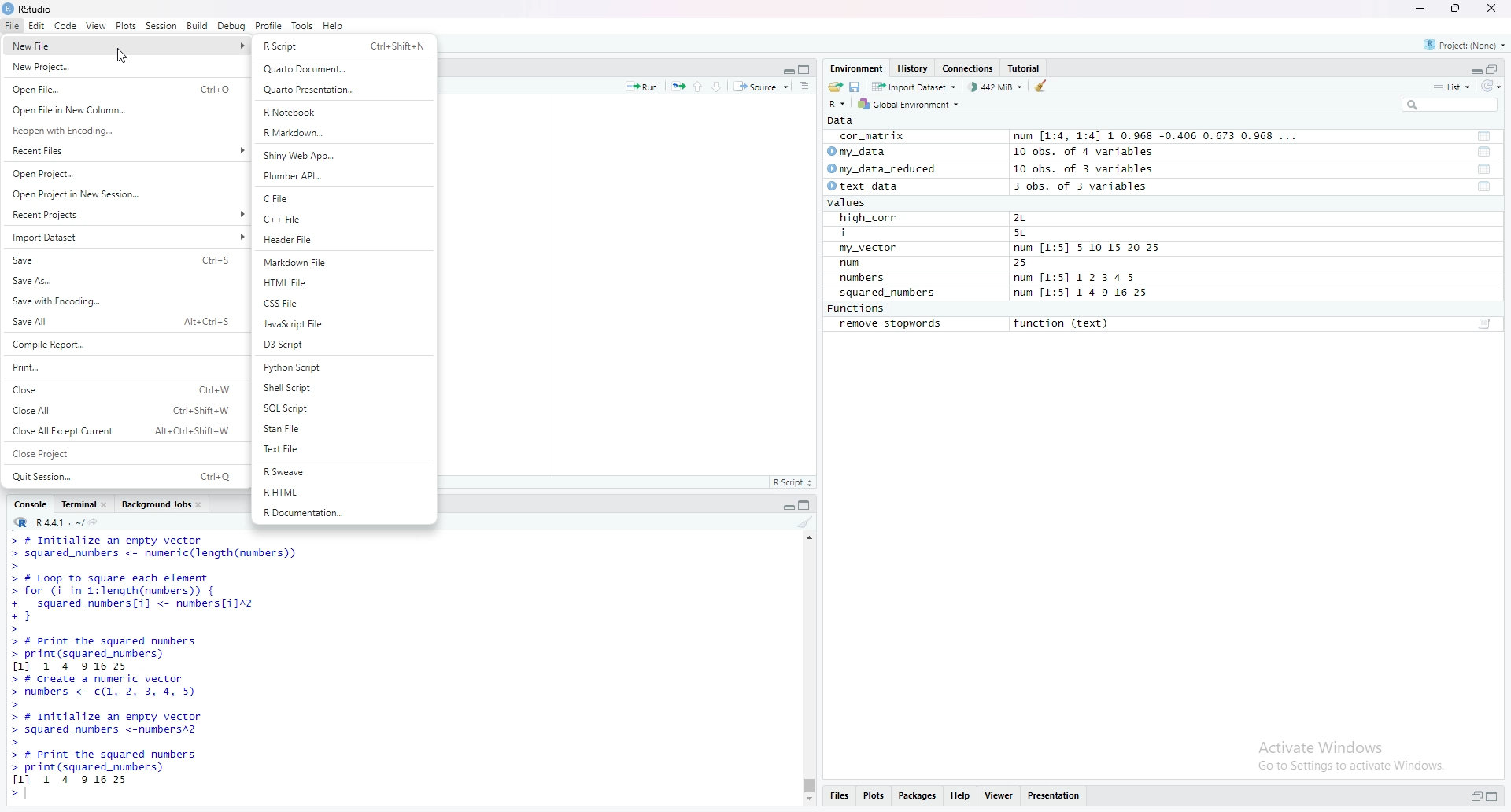 Image resolution: width=1511 pixels, height=812 pixels. I want to click on Presentation, so click(1053, 796).